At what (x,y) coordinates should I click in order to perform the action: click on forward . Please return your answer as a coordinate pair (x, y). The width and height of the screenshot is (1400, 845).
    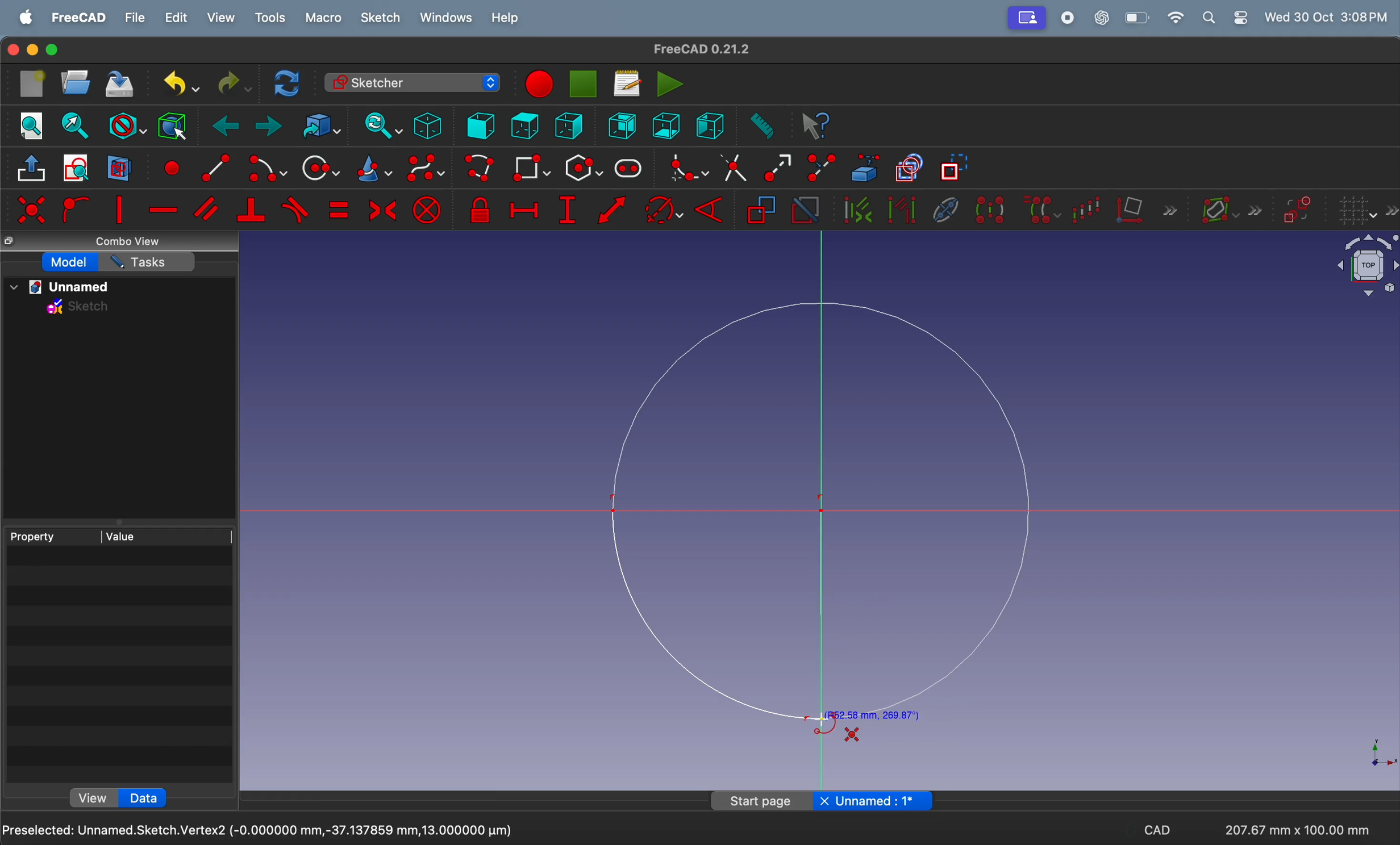
    Looking at the image, I should click on (269, 128).